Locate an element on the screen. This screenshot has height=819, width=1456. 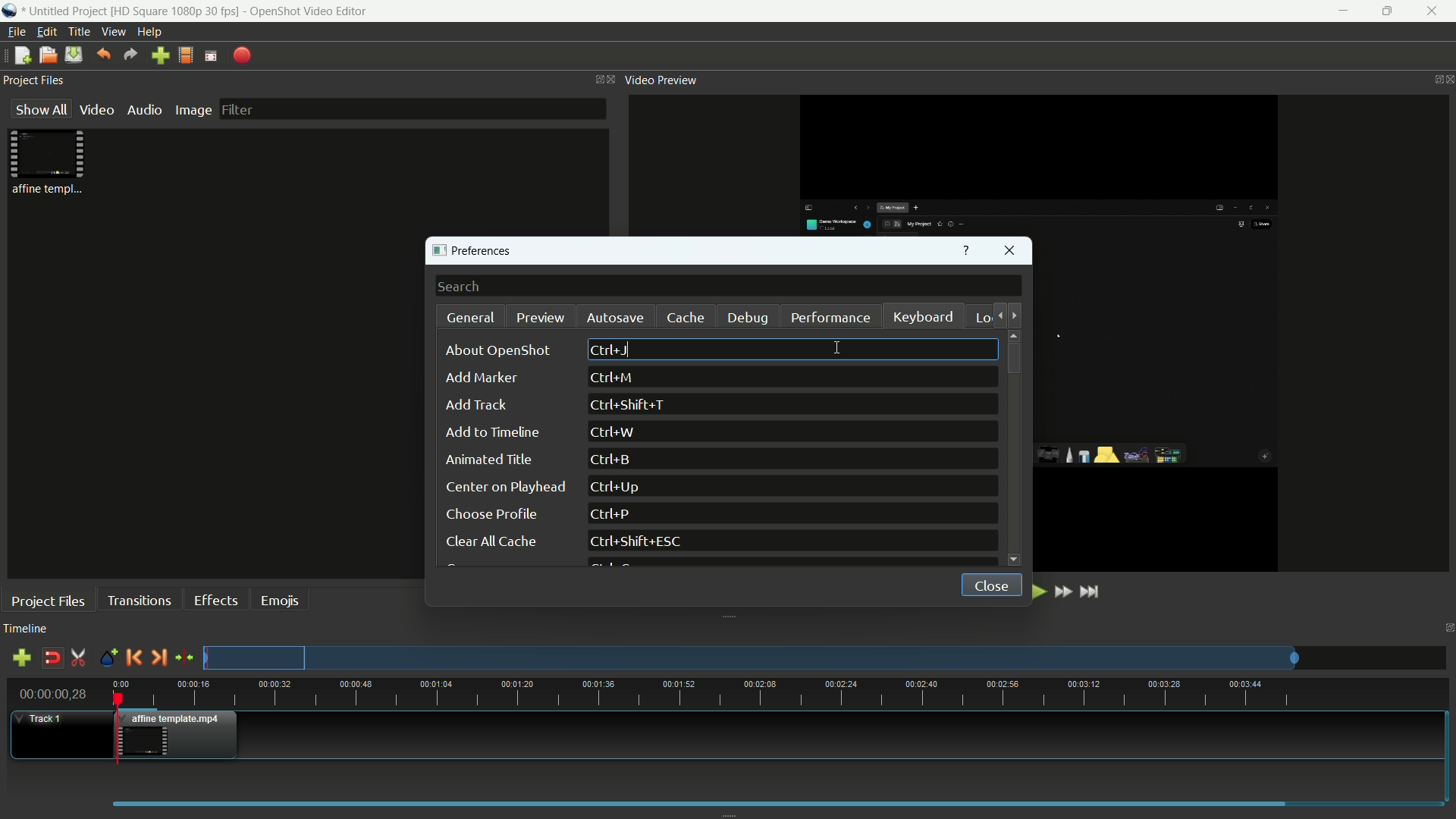
export is located at coordinates (243, 55).